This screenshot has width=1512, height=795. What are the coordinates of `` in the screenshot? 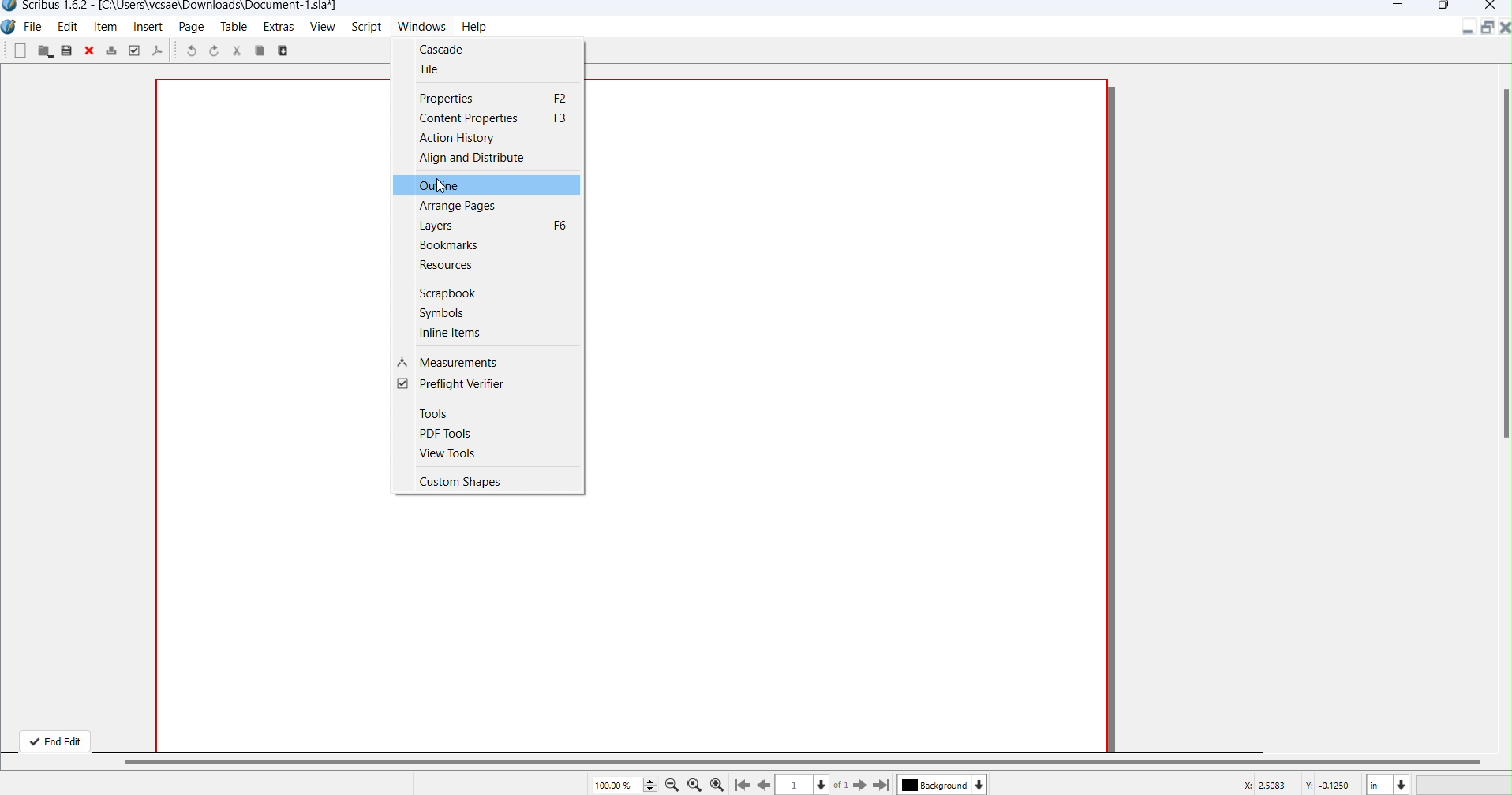 It's located at (193, 28).